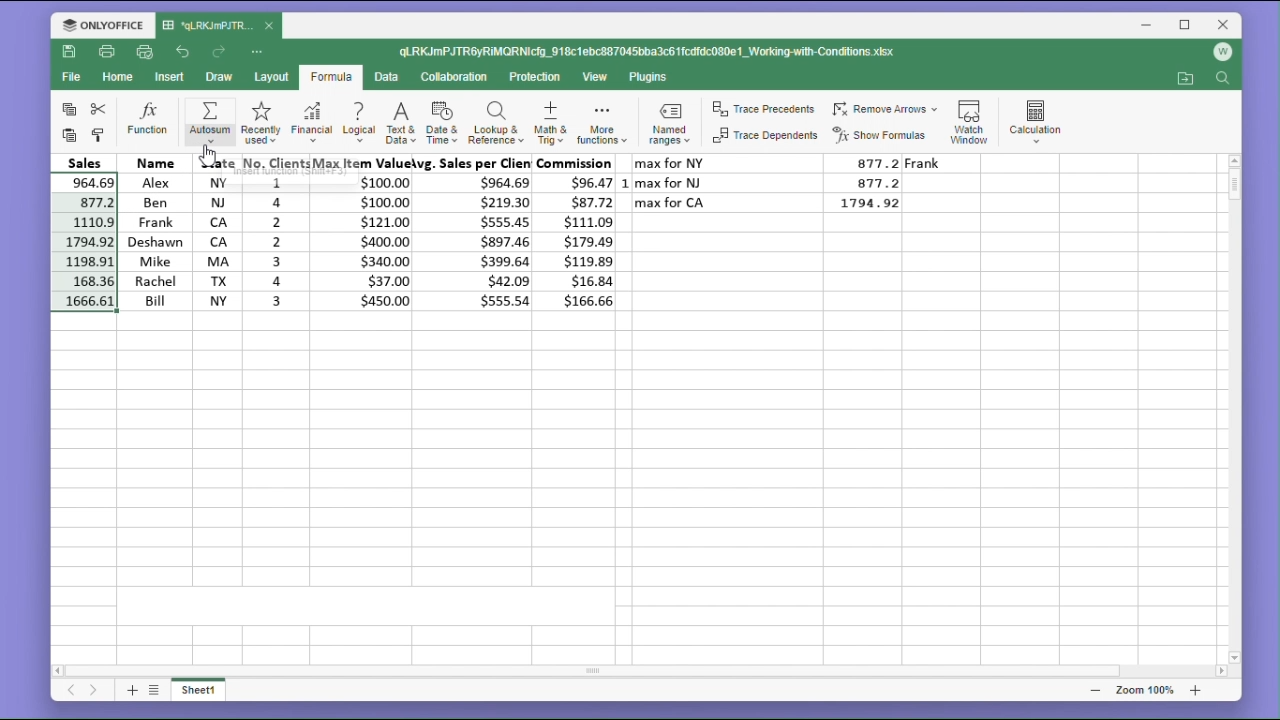 This screenshot has height=720, width=1280. I want to click on maths & trig, so click(549, 124).